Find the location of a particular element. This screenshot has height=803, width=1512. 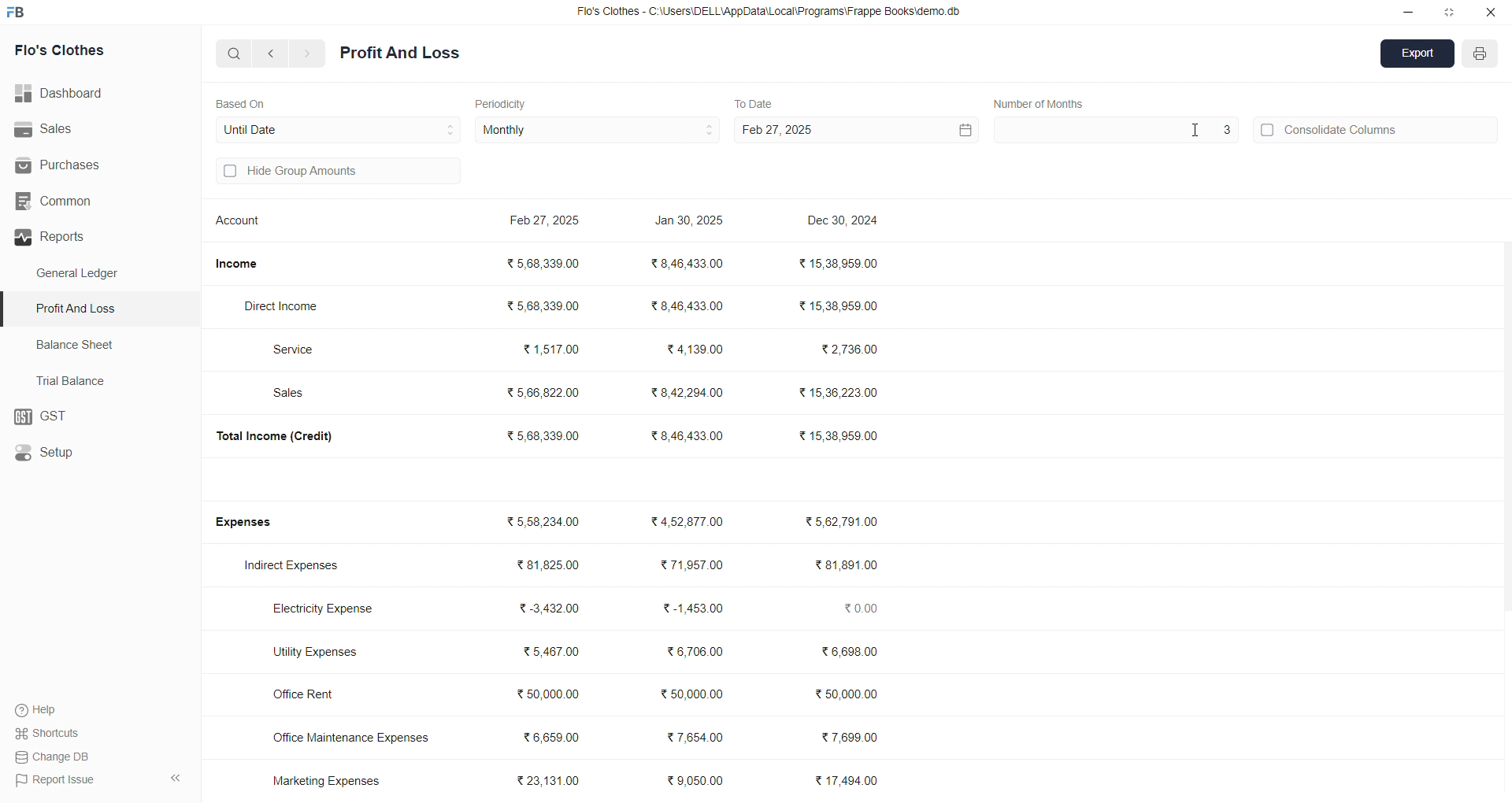

Dec 30, 2024 is located at coordinates (845, 222).